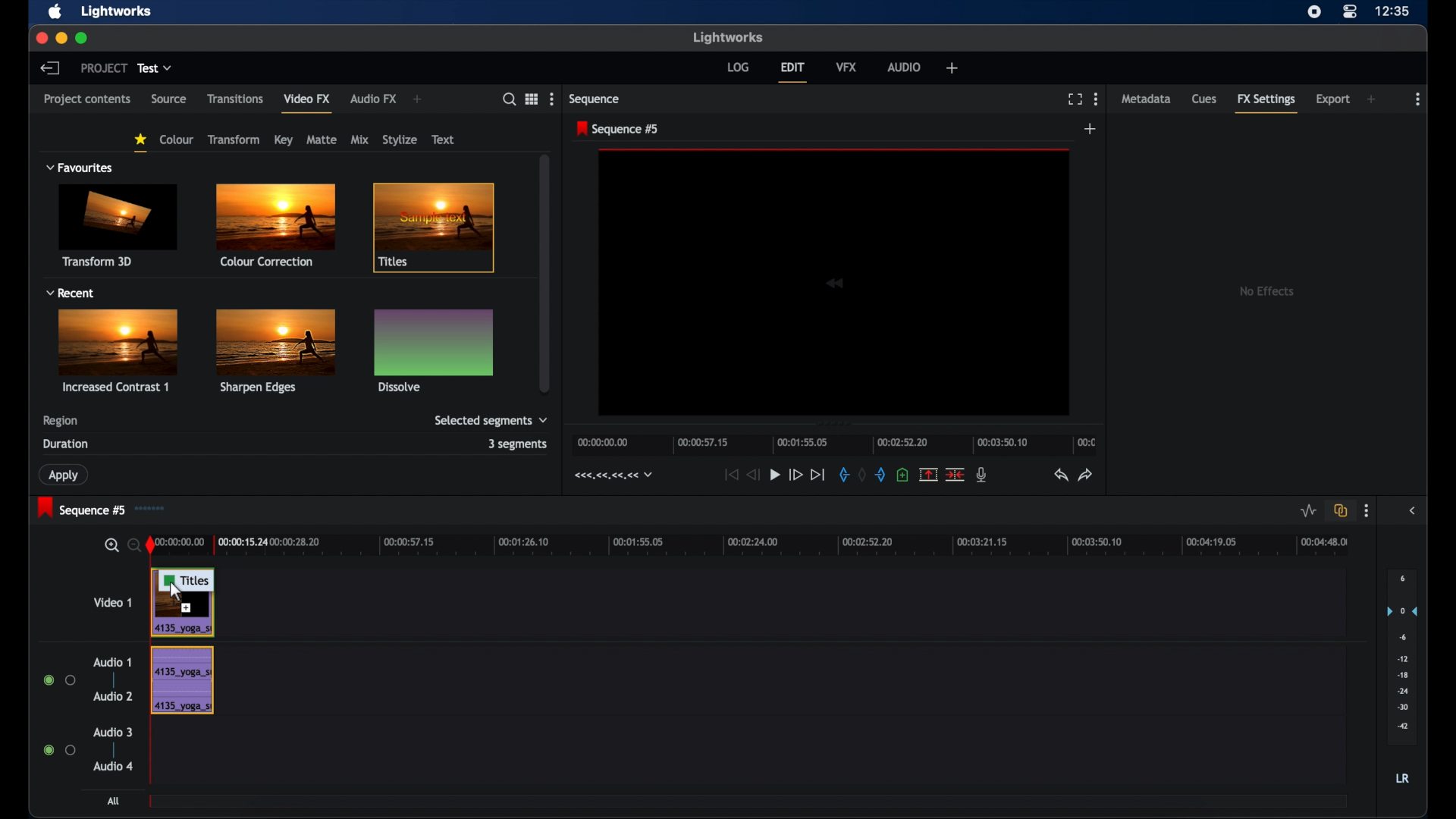 This screenshot has height=819, width=1456. I want to click on rewind, so click(755, 475).